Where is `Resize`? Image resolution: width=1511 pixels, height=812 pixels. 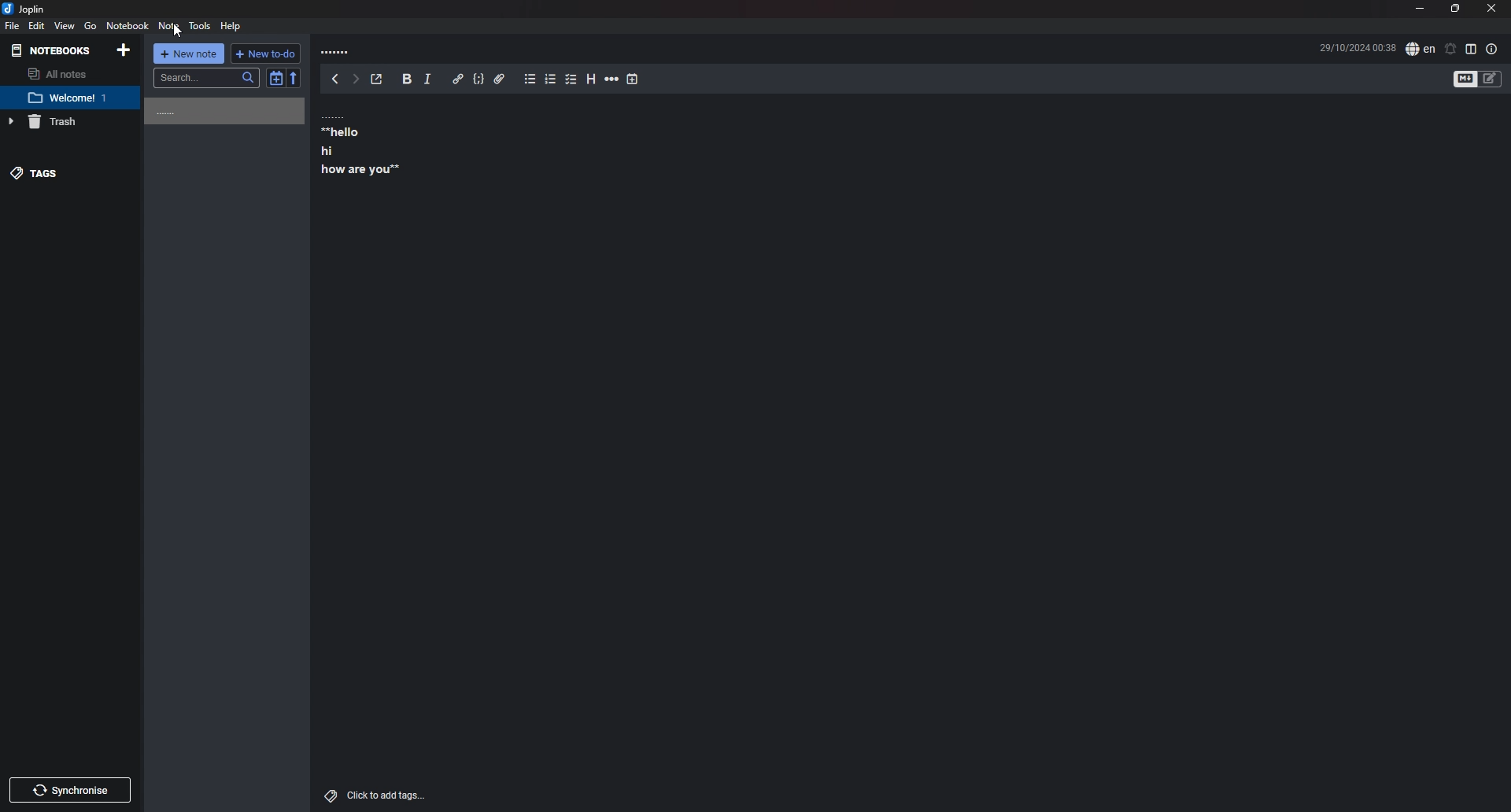 Resize is located at coordinates (1457, 8).